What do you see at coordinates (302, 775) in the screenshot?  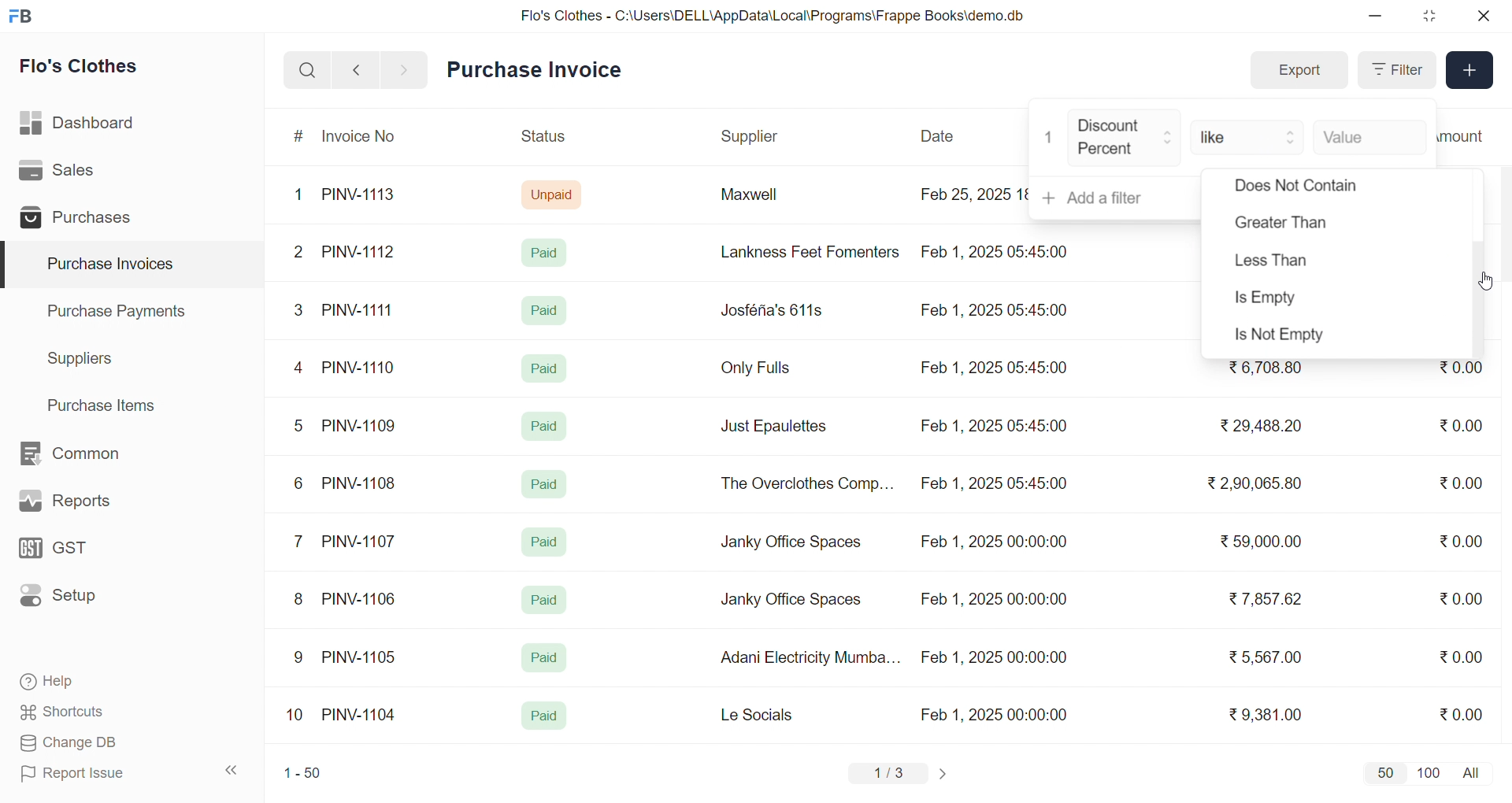 I see `1-50` at bounding box center [302, 775].